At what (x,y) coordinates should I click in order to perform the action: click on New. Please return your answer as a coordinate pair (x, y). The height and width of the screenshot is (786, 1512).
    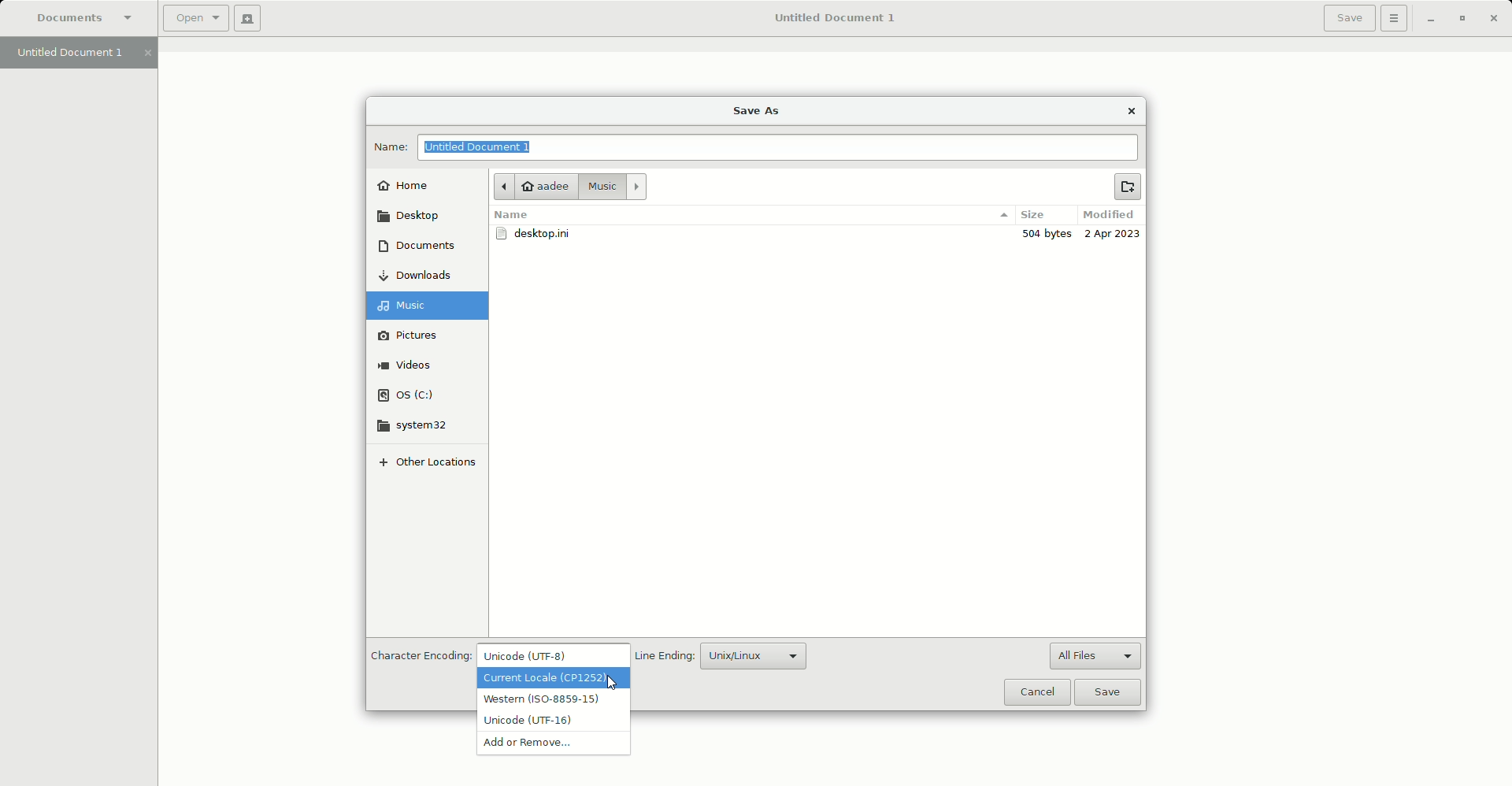
    Looking at the image, I should click on (1127, 187).